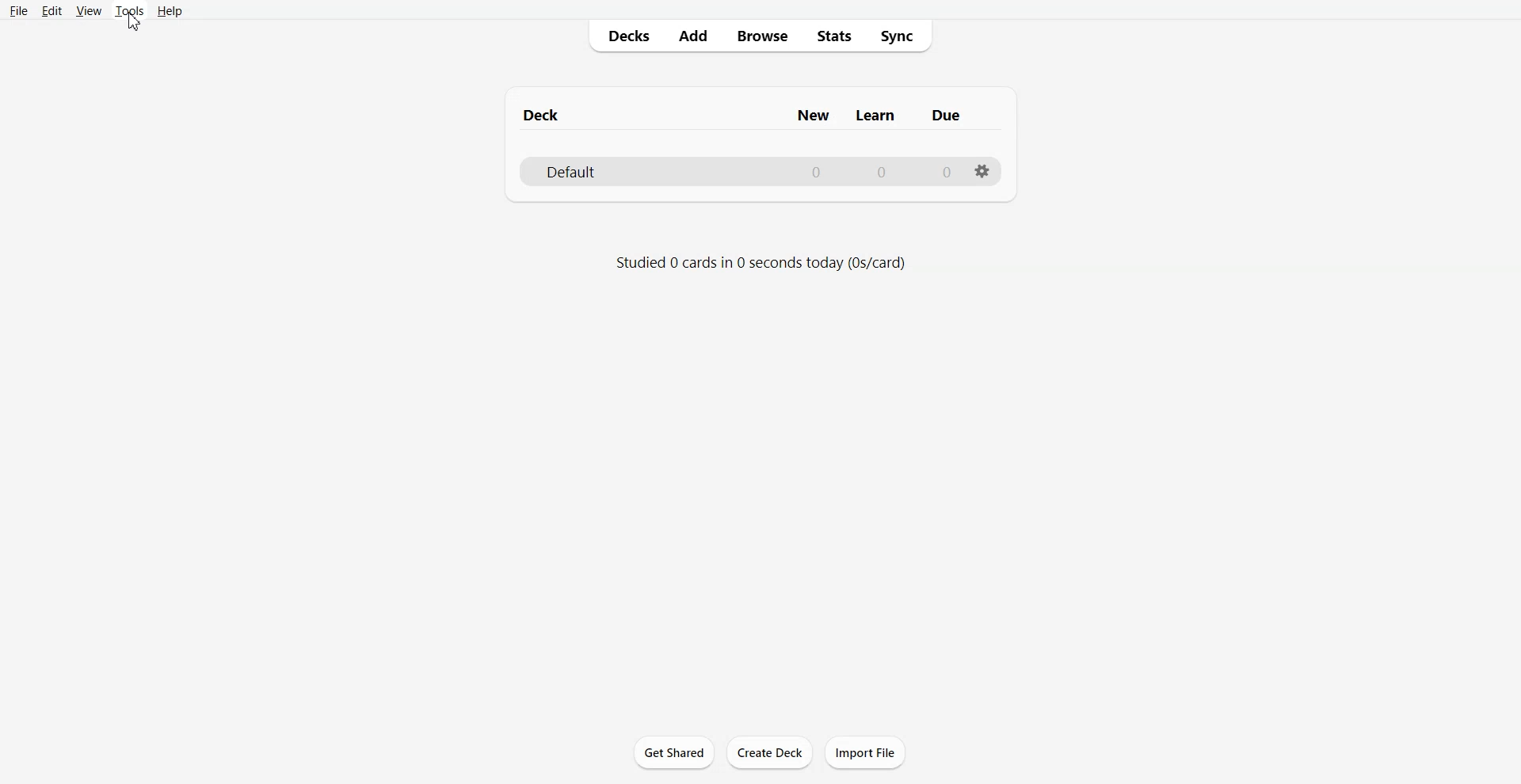 This screenshot has width=1521, height=784. What do you see at coordinates (865, 752) in the screenshot?
I see `Import File` at bounding box center [865, 752].